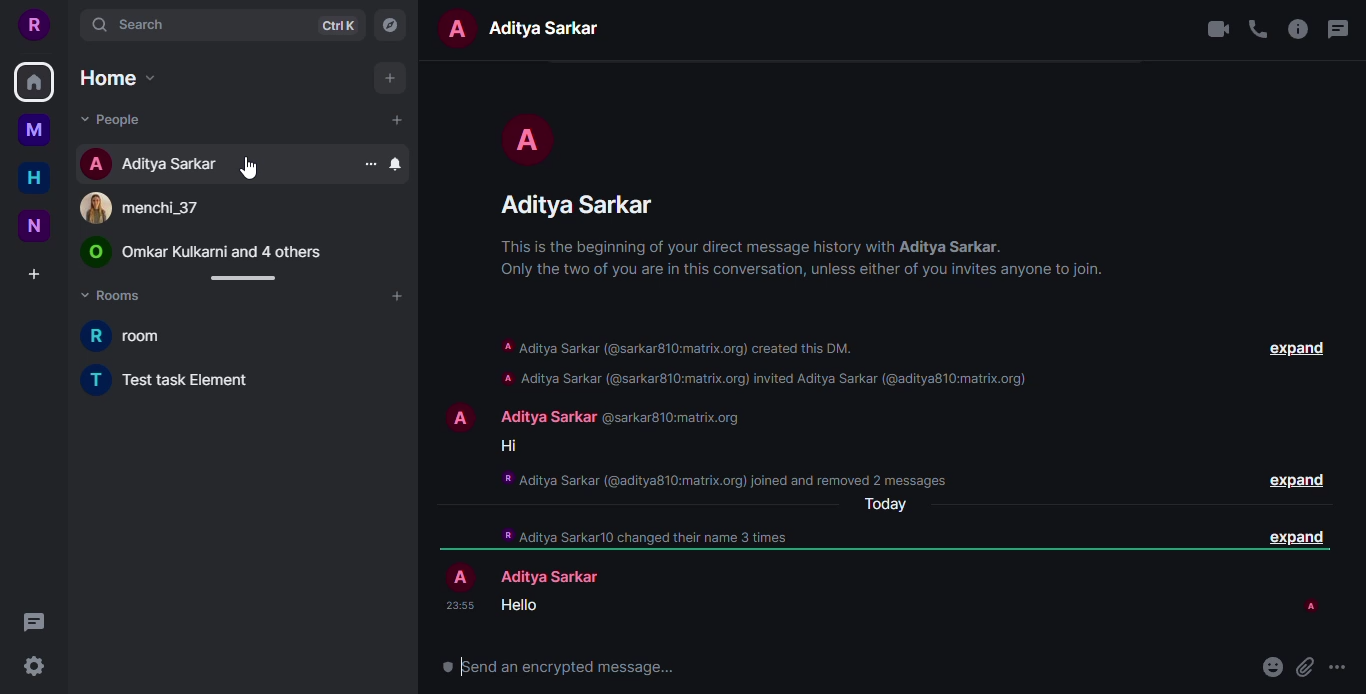 This screenshot has width=1366, height=694. What do you see at coordinates (1298, 29) in the screenshot?
I see `info` at bounding box center [1298, 29].